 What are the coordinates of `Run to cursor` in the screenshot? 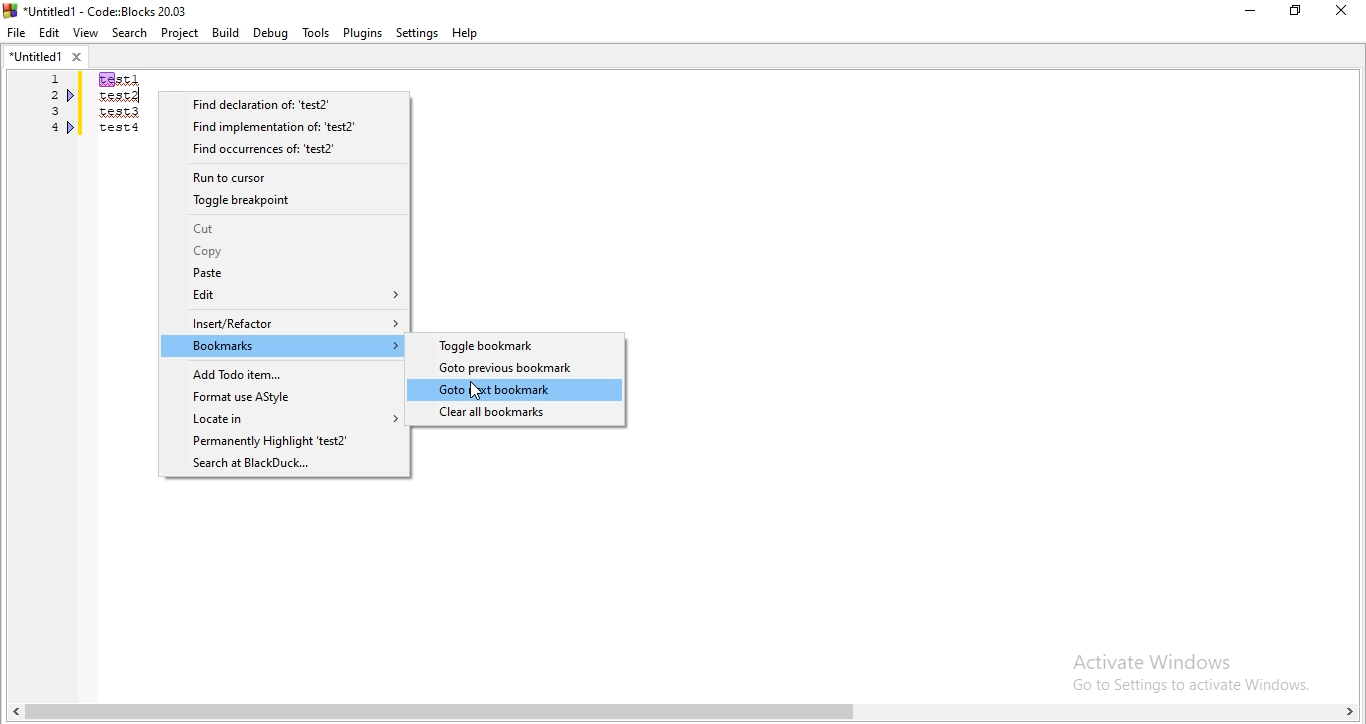 It's located at (285, 177).